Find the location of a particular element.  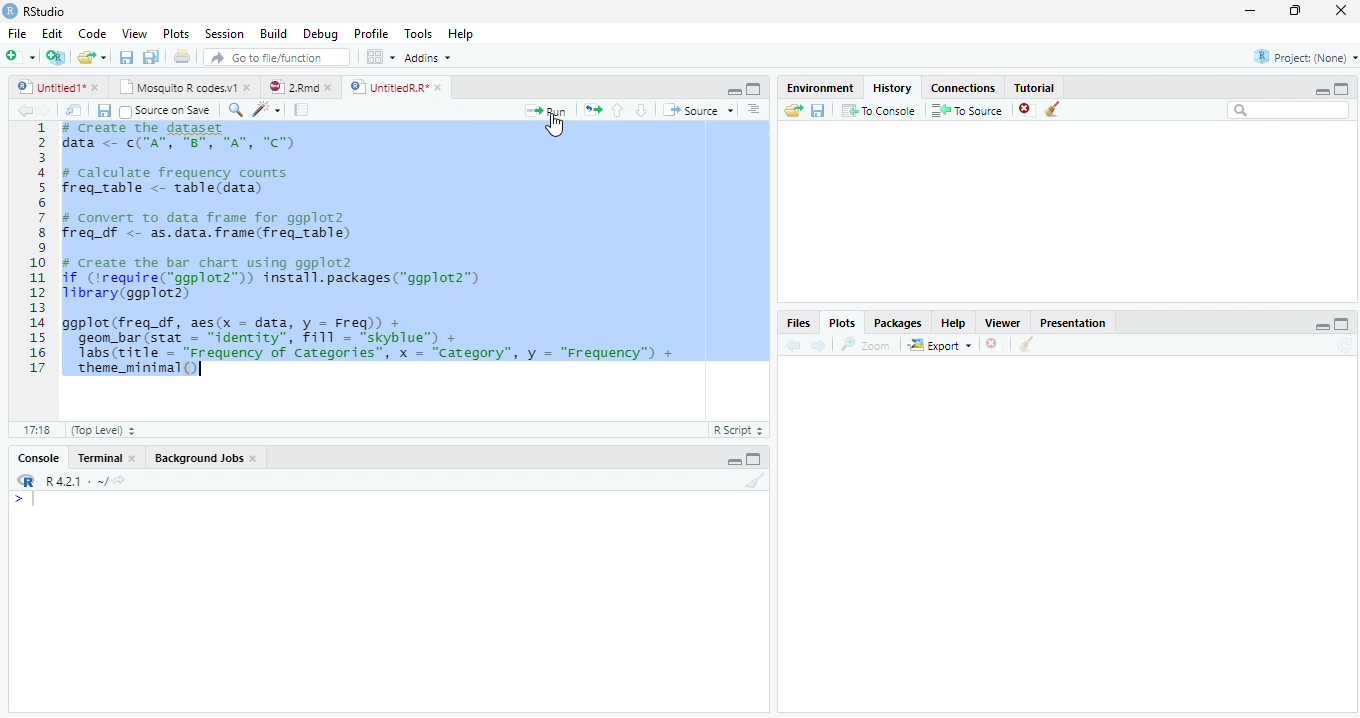

Forward is located at coordinates (50, 110).